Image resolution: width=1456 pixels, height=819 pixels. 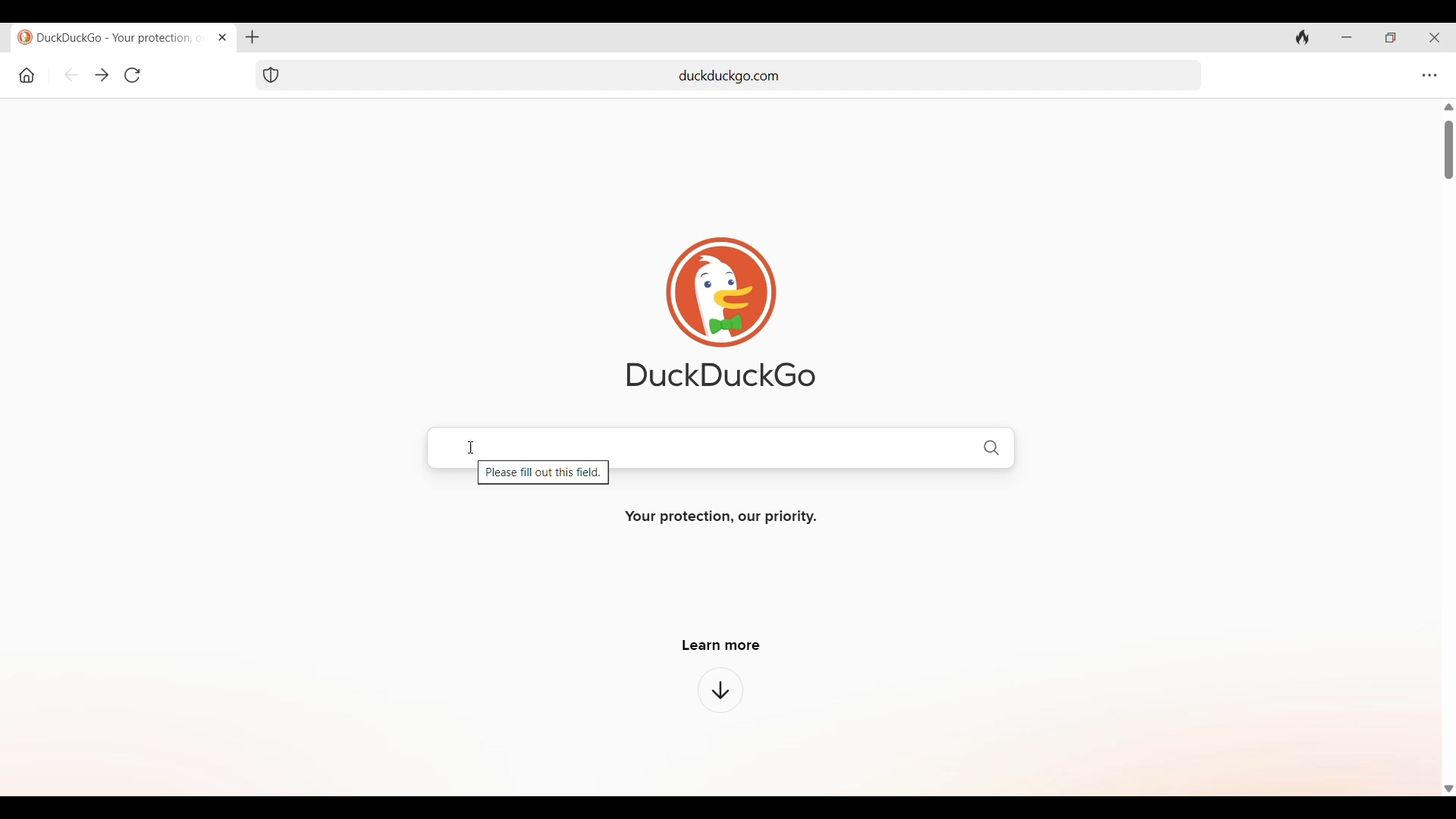 I want to click on Quick slide to top, so click(x=1448, y=107).